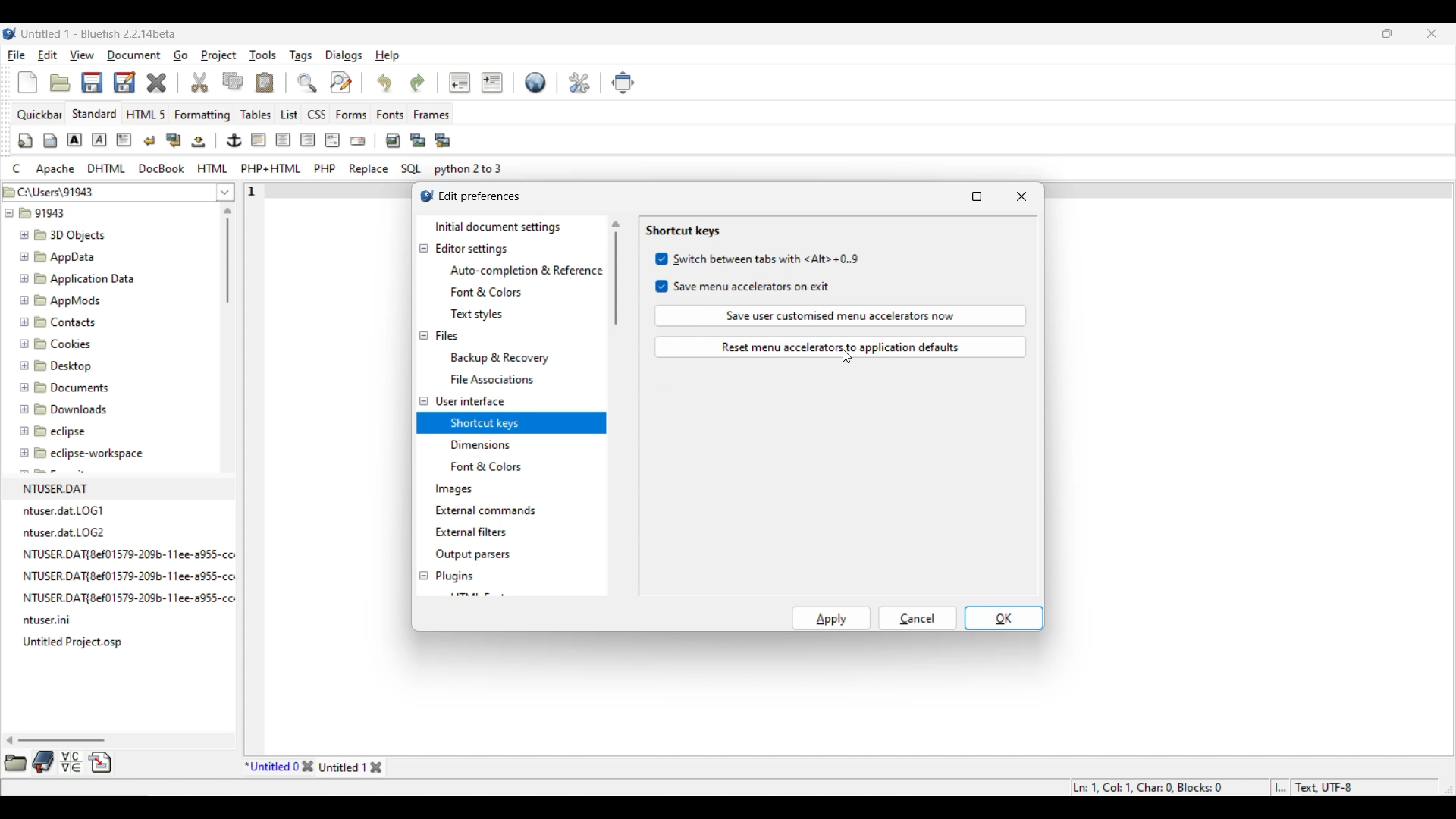 This screenshot has height=819, width=1456. What do you see at coordinates (307, 767) in the screenshot?
I see `Close` at bounding box center [307, 767].